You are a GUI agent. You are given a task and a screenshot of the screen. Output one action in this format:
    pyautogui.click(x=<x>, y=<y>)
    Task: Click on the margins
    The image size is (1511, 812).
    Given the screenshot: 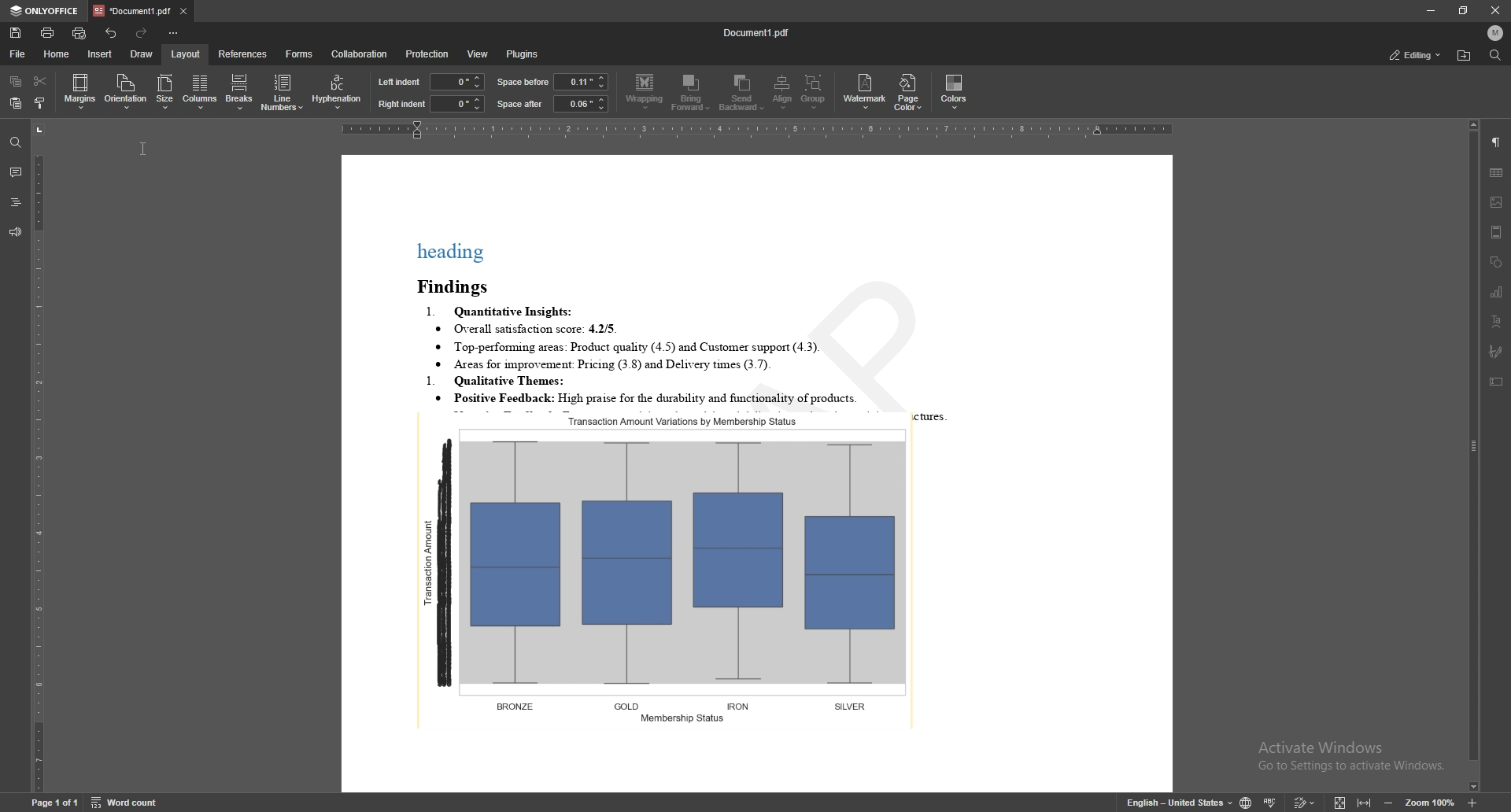 What is the action you would take?
    pyautogui.click(x=80, y=91)
    